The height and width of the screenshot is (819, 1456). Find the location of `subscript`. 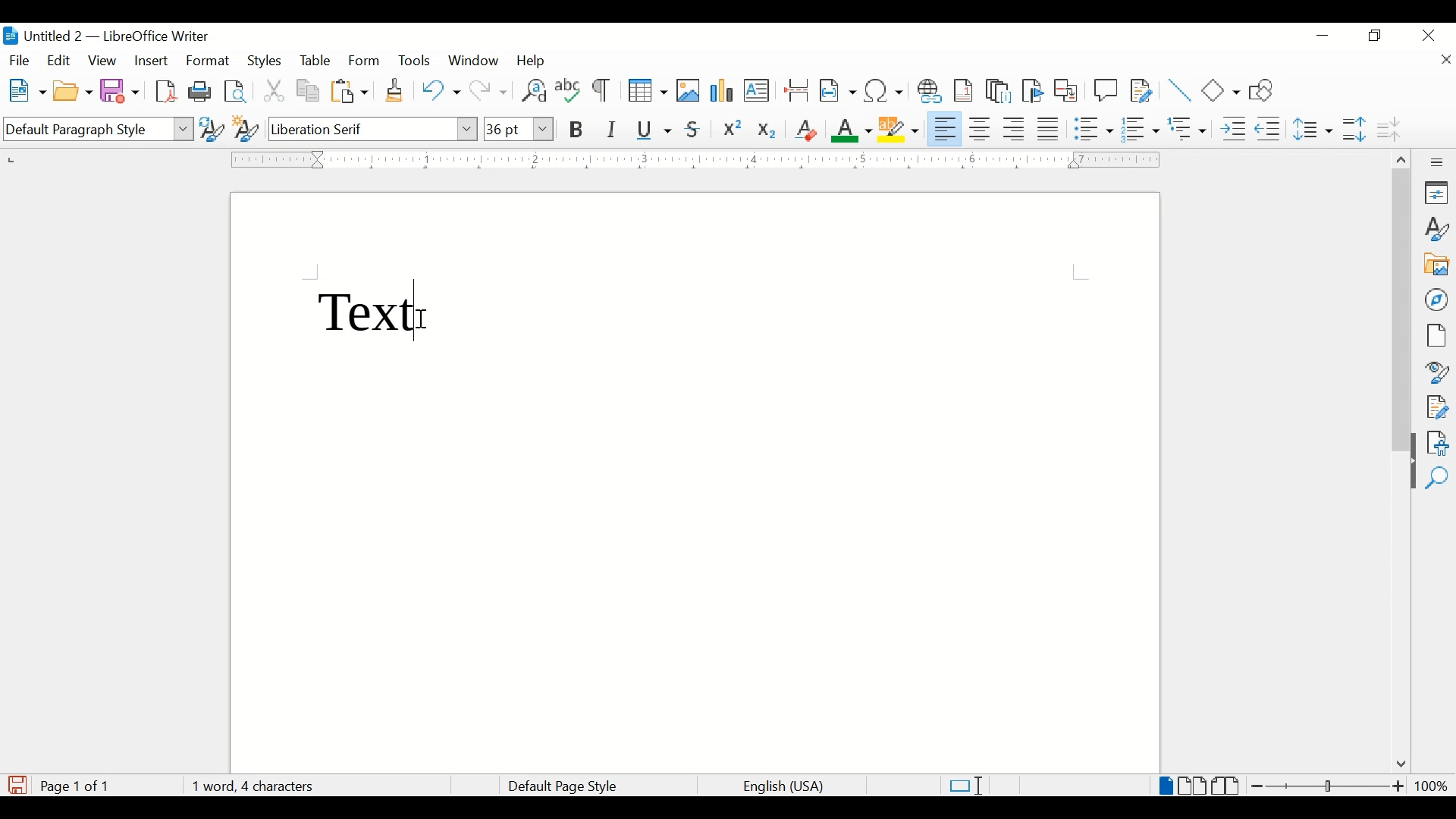

subscript is located at coordinates (768, 133).